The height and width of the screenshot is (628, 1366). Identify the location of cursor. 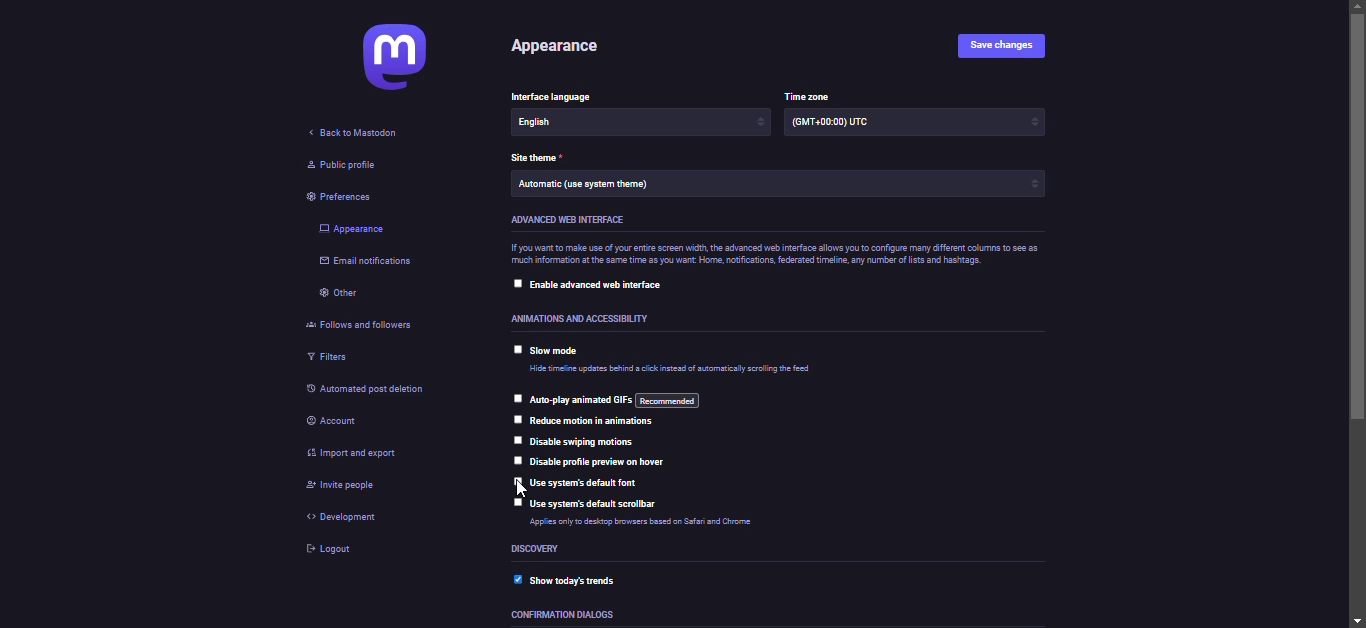
(519, 491).